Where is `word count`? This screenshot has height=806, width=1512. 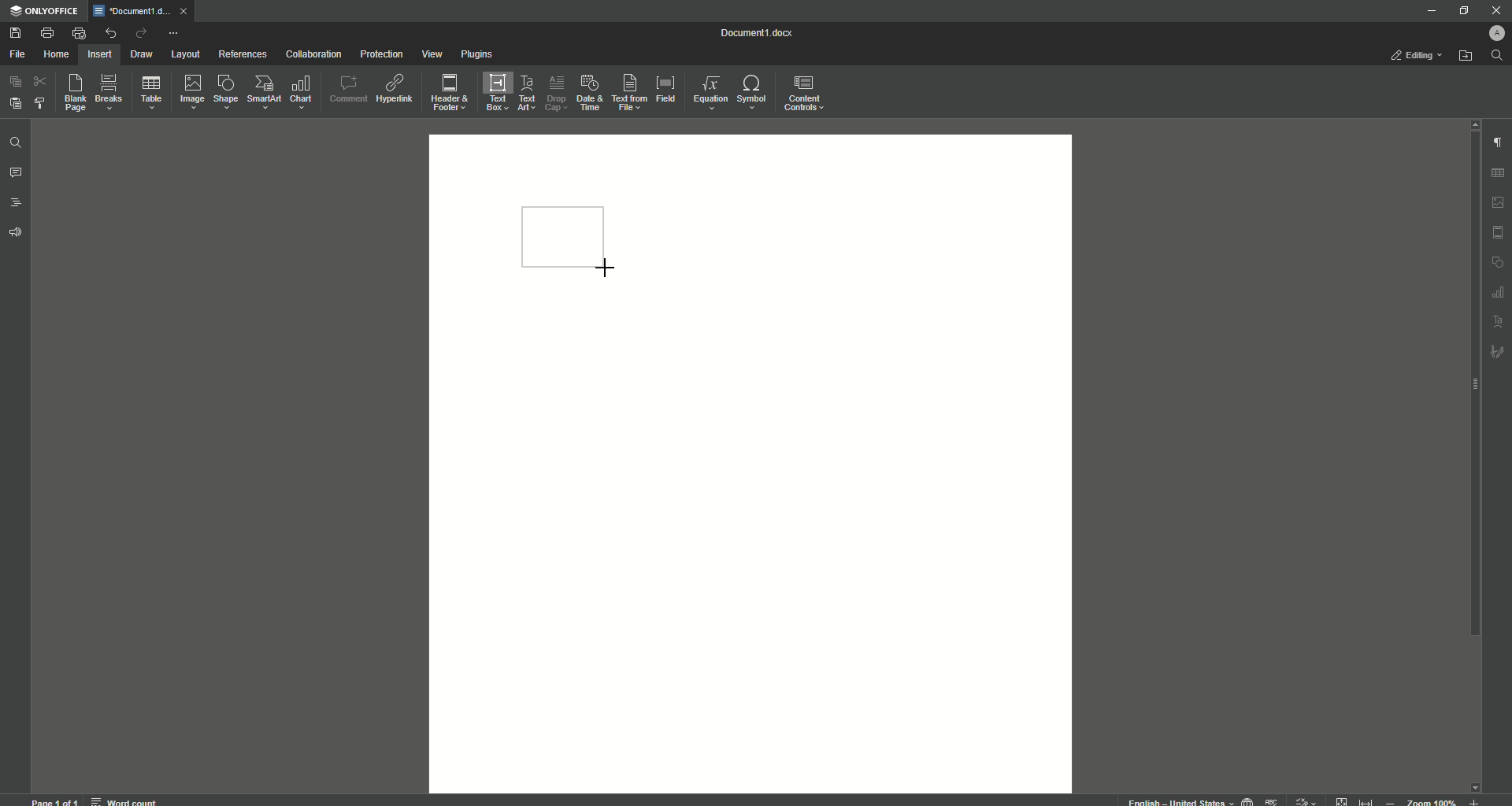 word count is located at coordinates (123, 799).